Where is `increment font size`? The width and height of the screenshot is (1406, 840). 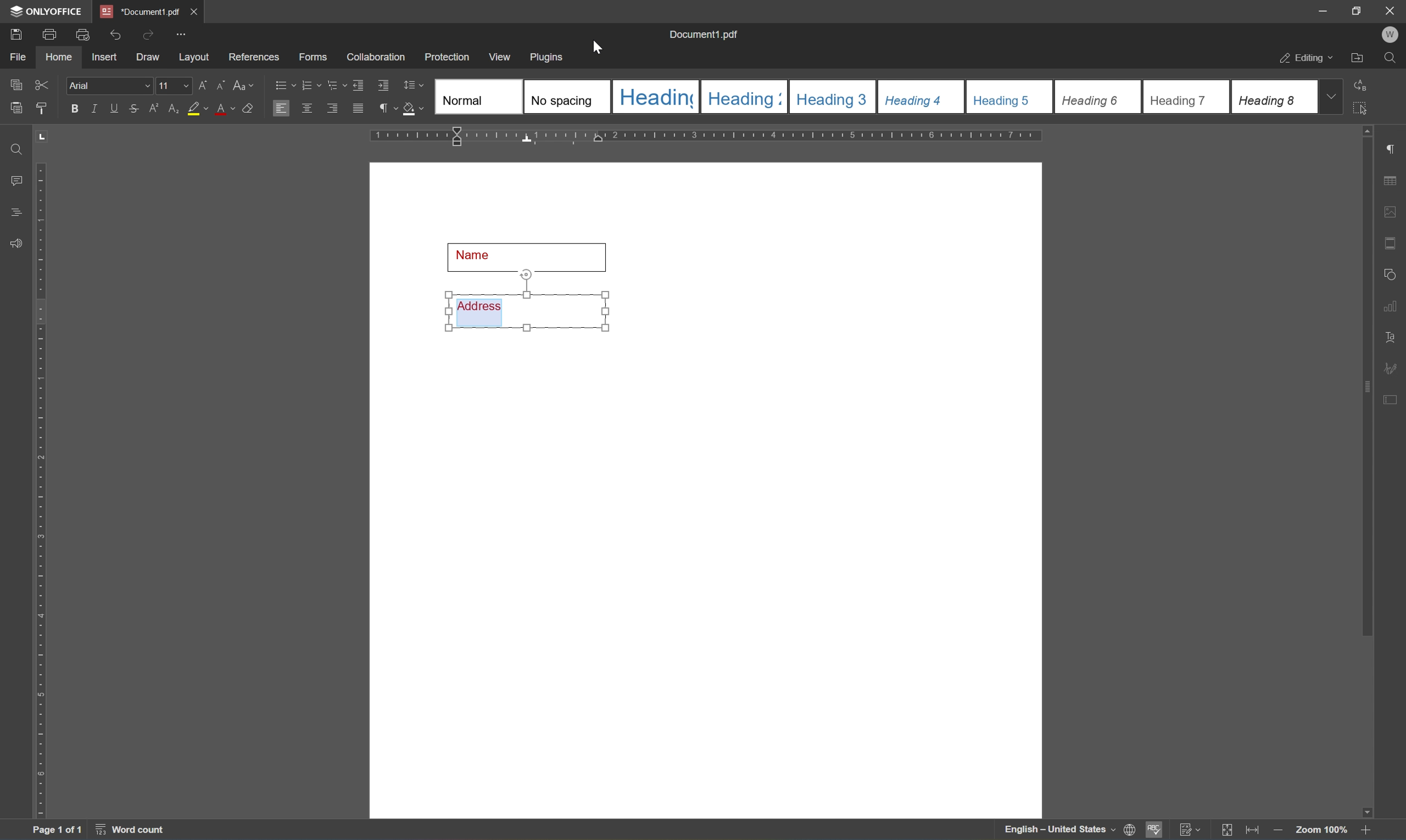
increment font size is located at coordinates (203, 84).